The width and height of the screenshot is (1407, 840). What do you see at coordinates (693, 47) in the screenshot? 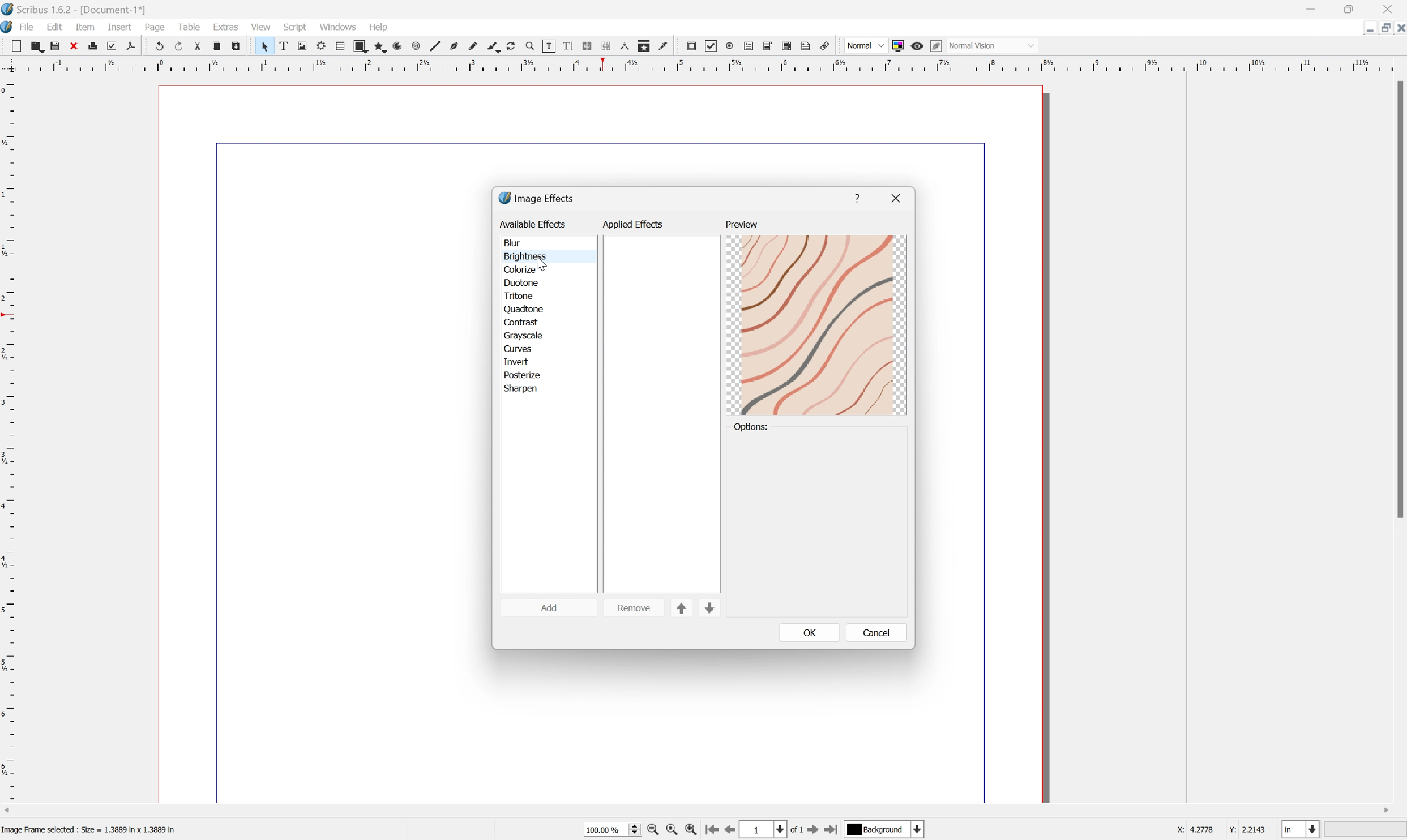
I see `PDF push button` at bounding box center [693, 47].